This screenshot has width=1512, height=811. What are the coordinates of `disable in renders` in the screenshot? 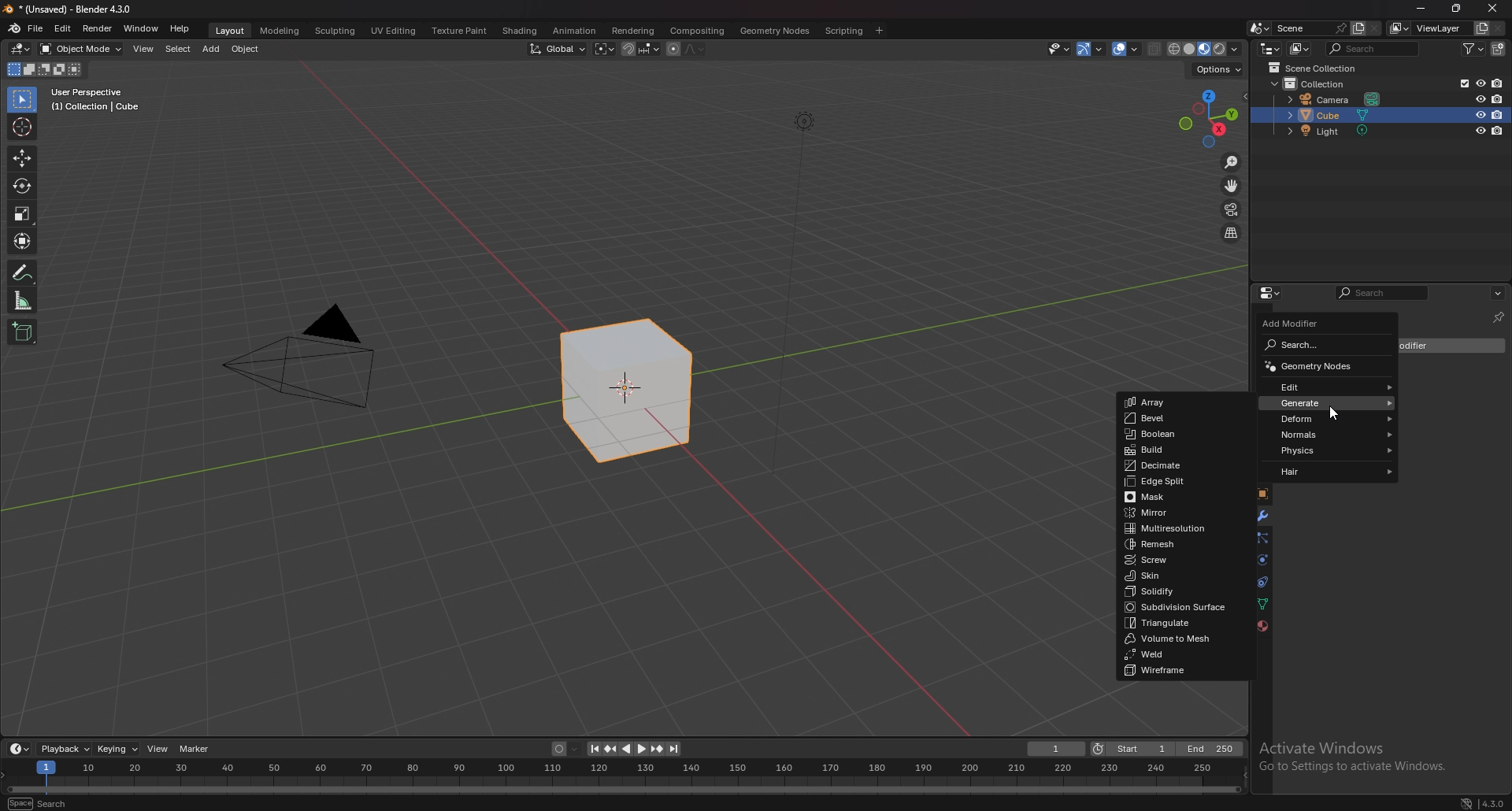 It's located at (1498, 83).